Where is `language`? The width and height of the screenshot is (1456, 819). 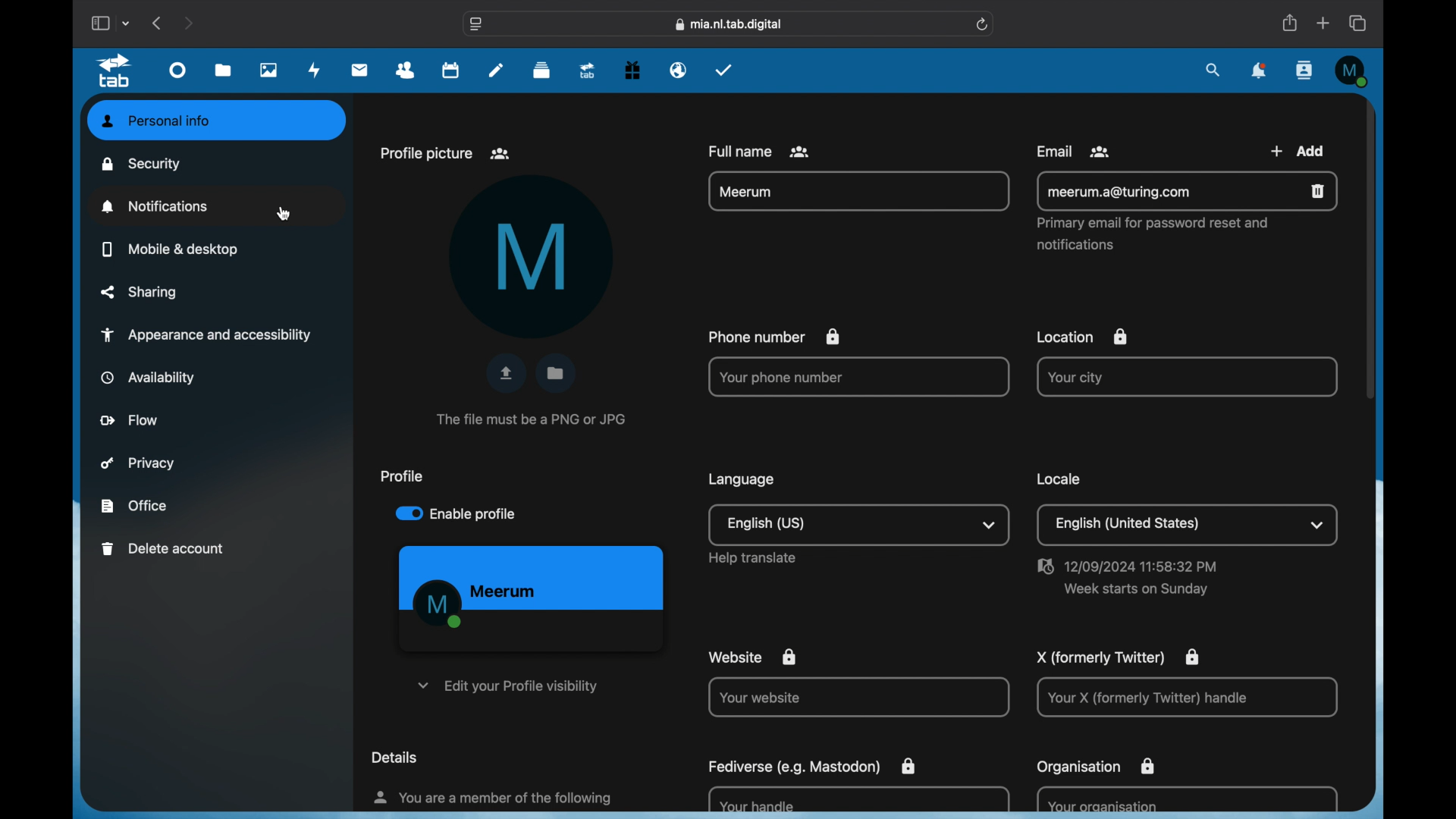 language is located at coordinates (741, 481).